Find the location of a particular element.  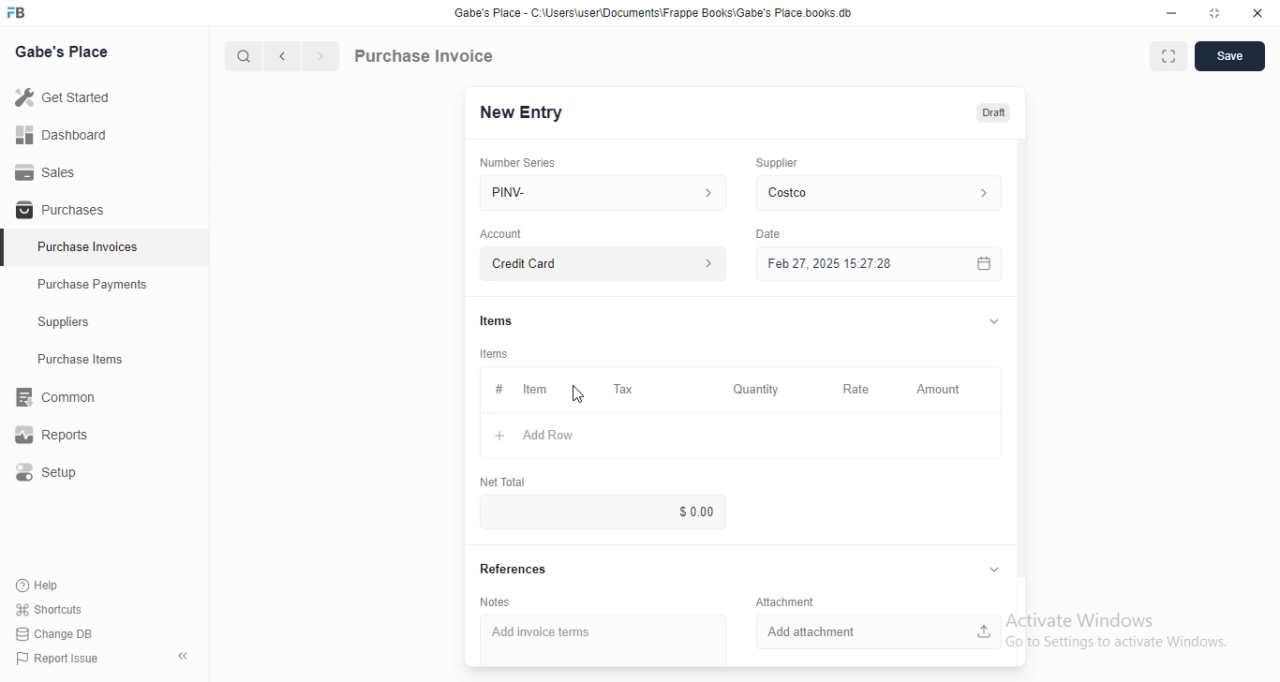

Vertical slide bar is located at coordinates (1022, 365).